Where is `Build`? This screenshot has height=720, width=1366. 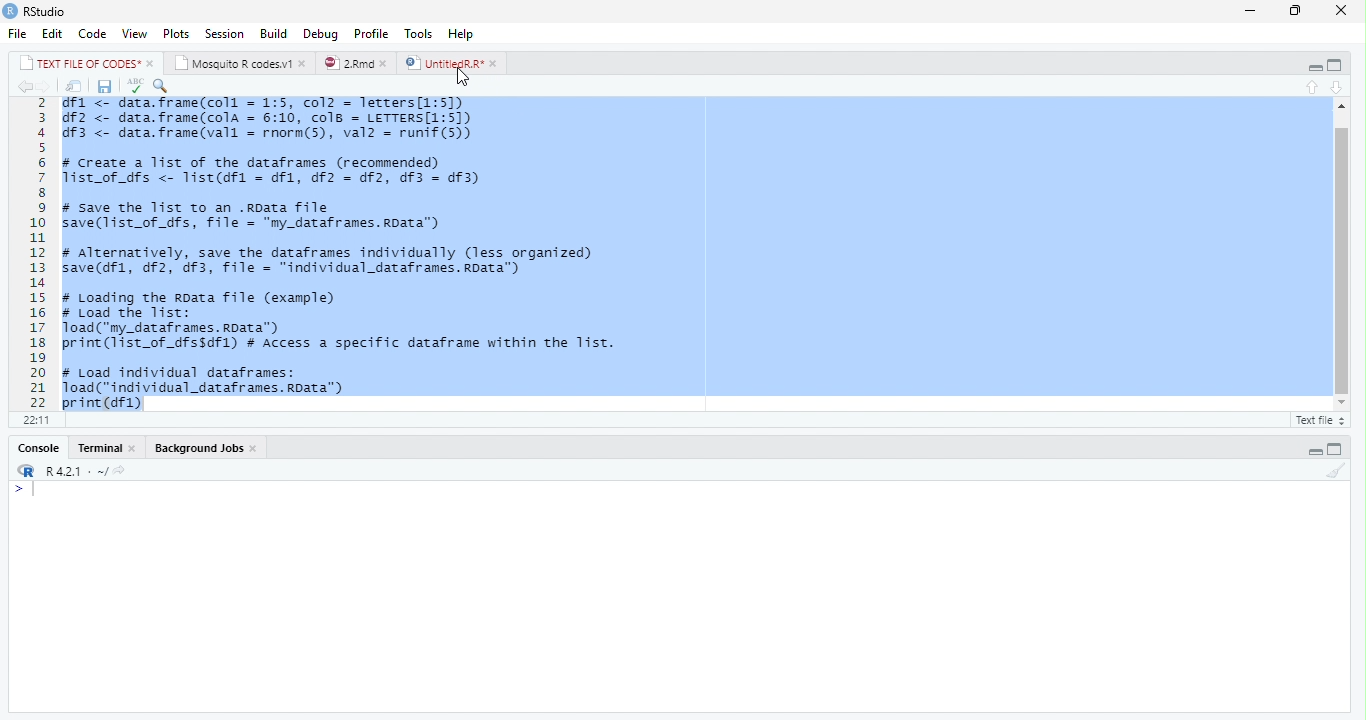 Build is located at coordinates (275, 32).